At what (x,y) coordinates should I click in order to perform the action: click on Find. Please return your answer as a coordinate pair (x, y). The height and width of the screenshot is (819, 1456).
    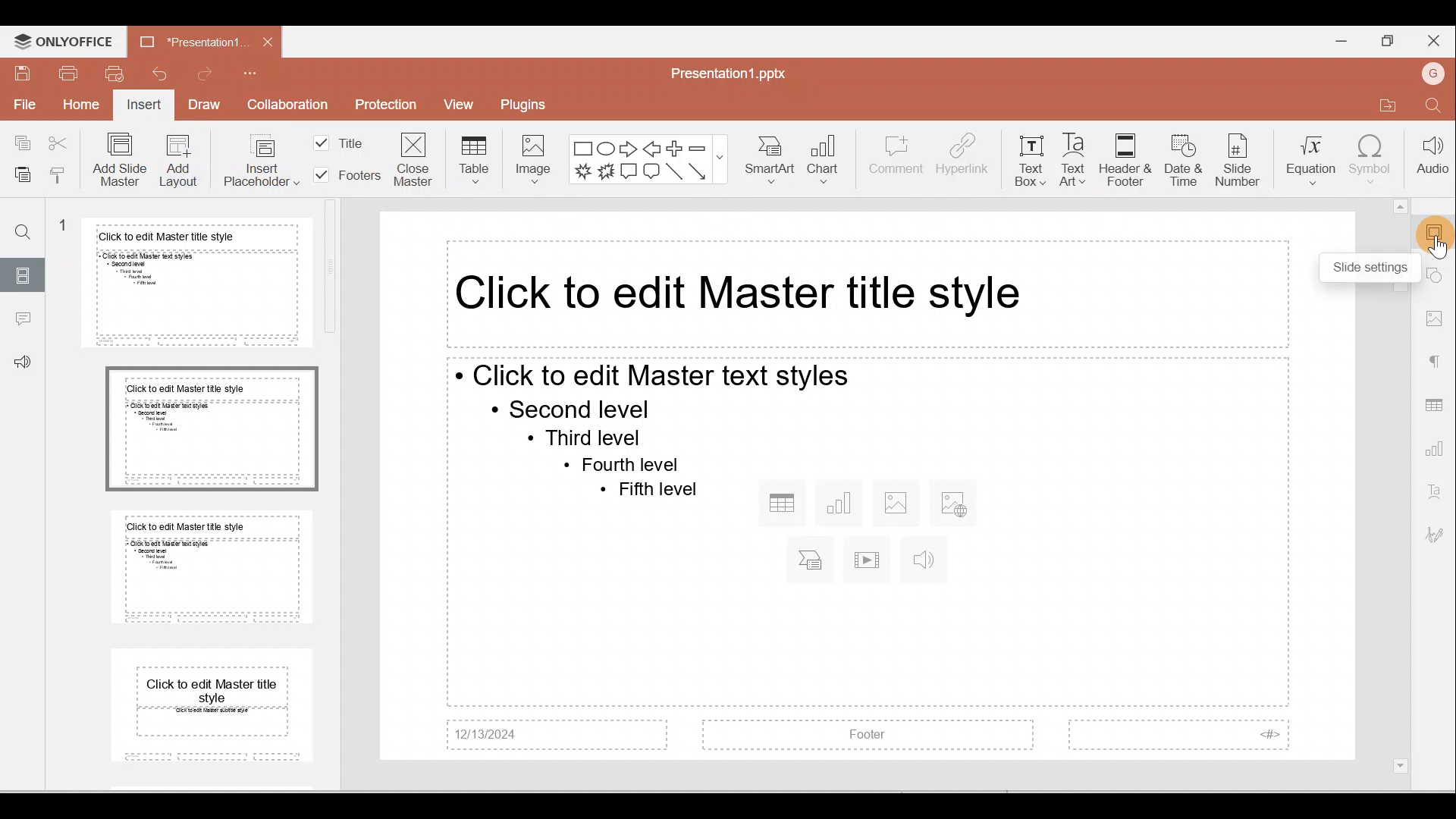
    Looking at the image, I should click on (24, 227).